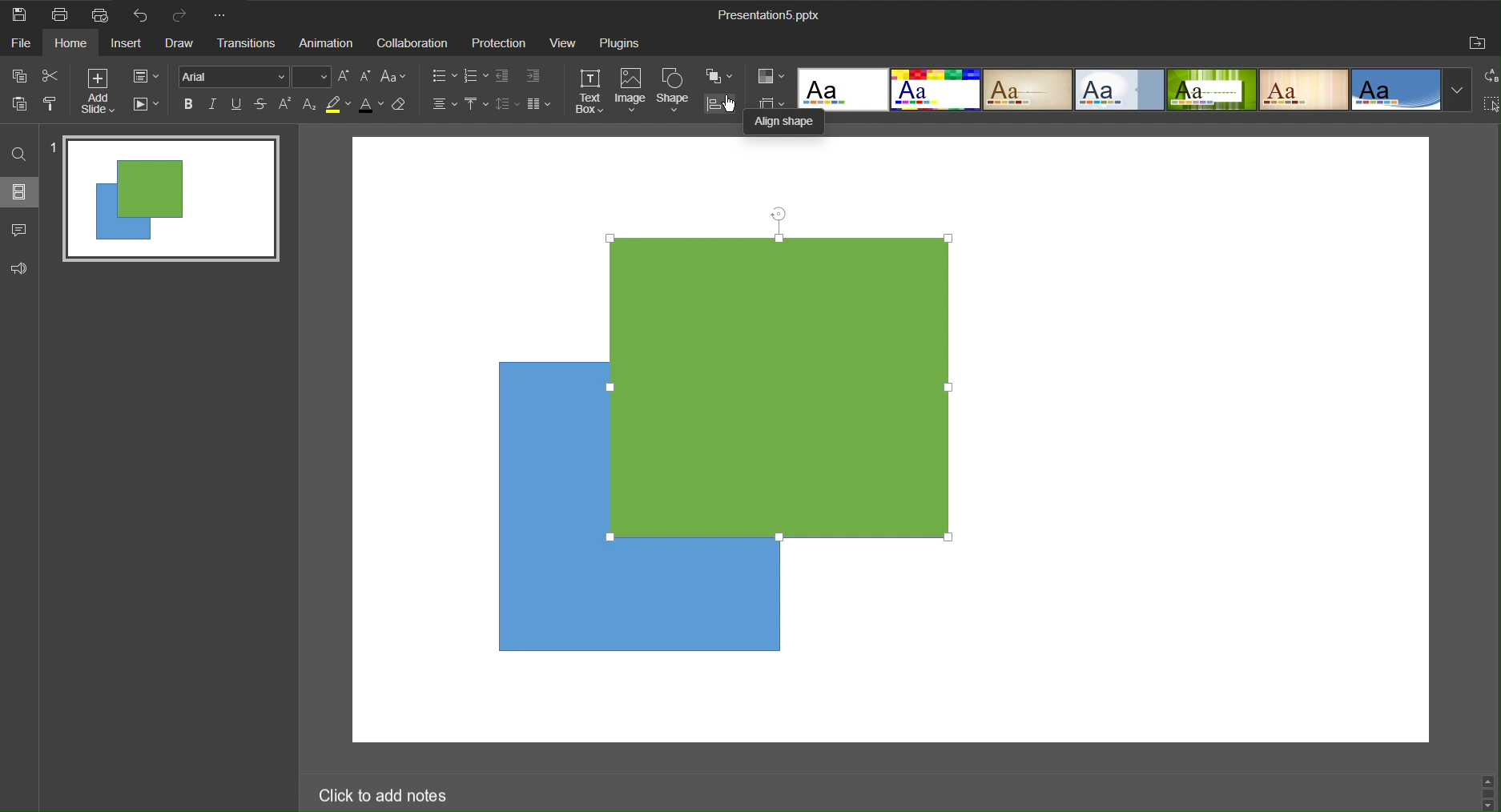 This screenshot has width=1501, height=812. I want to click on align shape, so click(722, 106).